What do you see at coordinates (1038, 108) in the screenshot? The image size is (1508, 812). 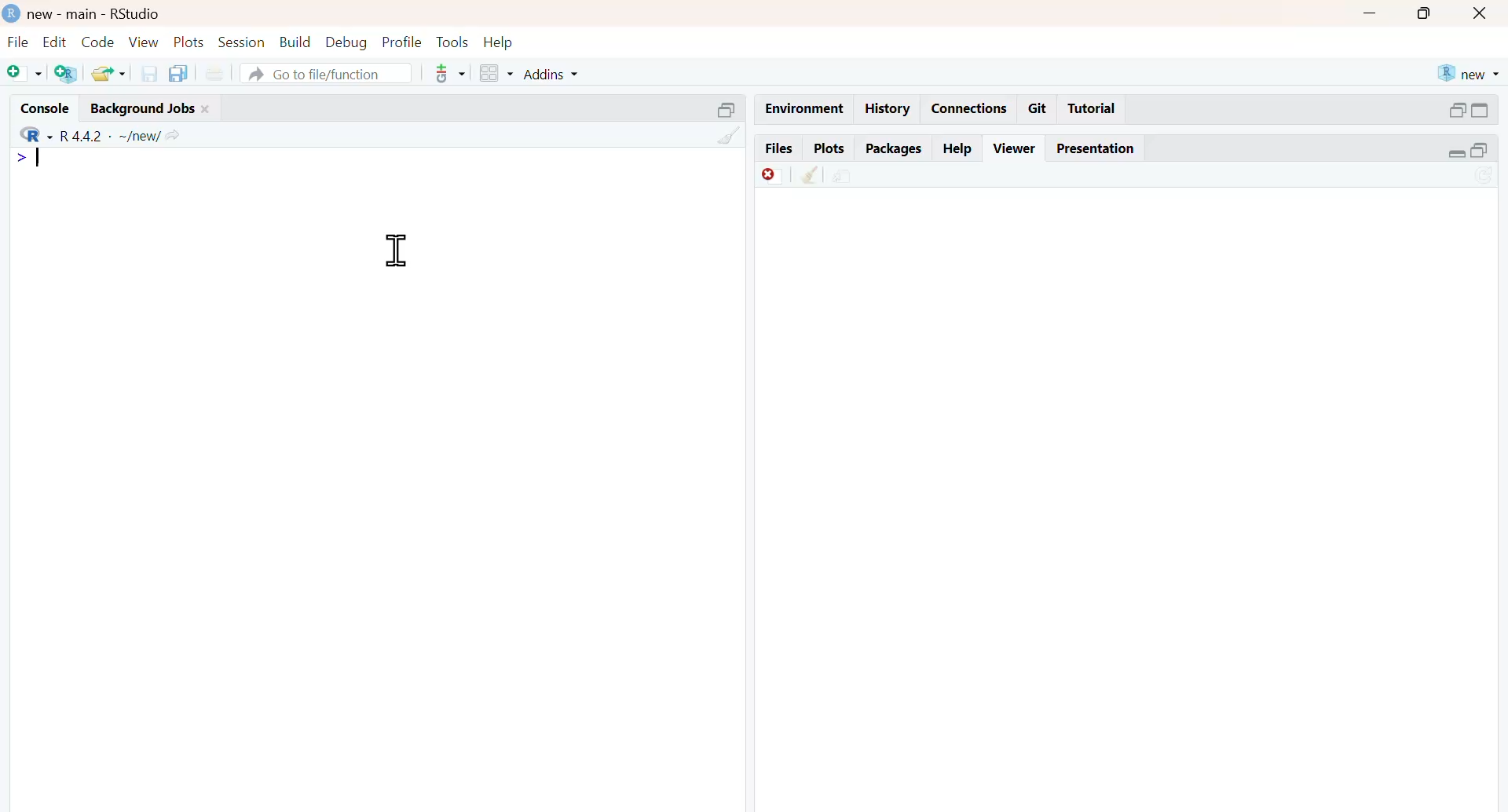 I see `git` at bounding box center [1038, 108].